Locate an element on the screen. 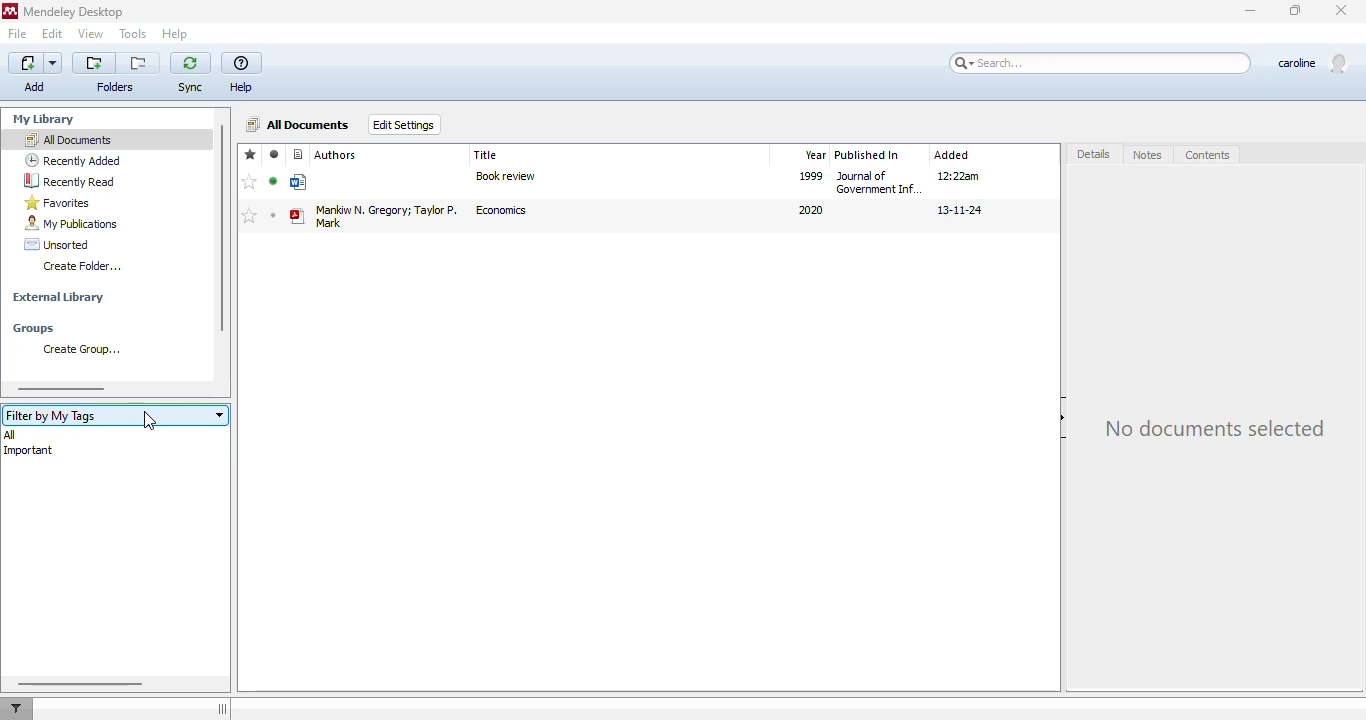 This screenshot has height=720, width=1366. my library is located at coordinates (43, 119).